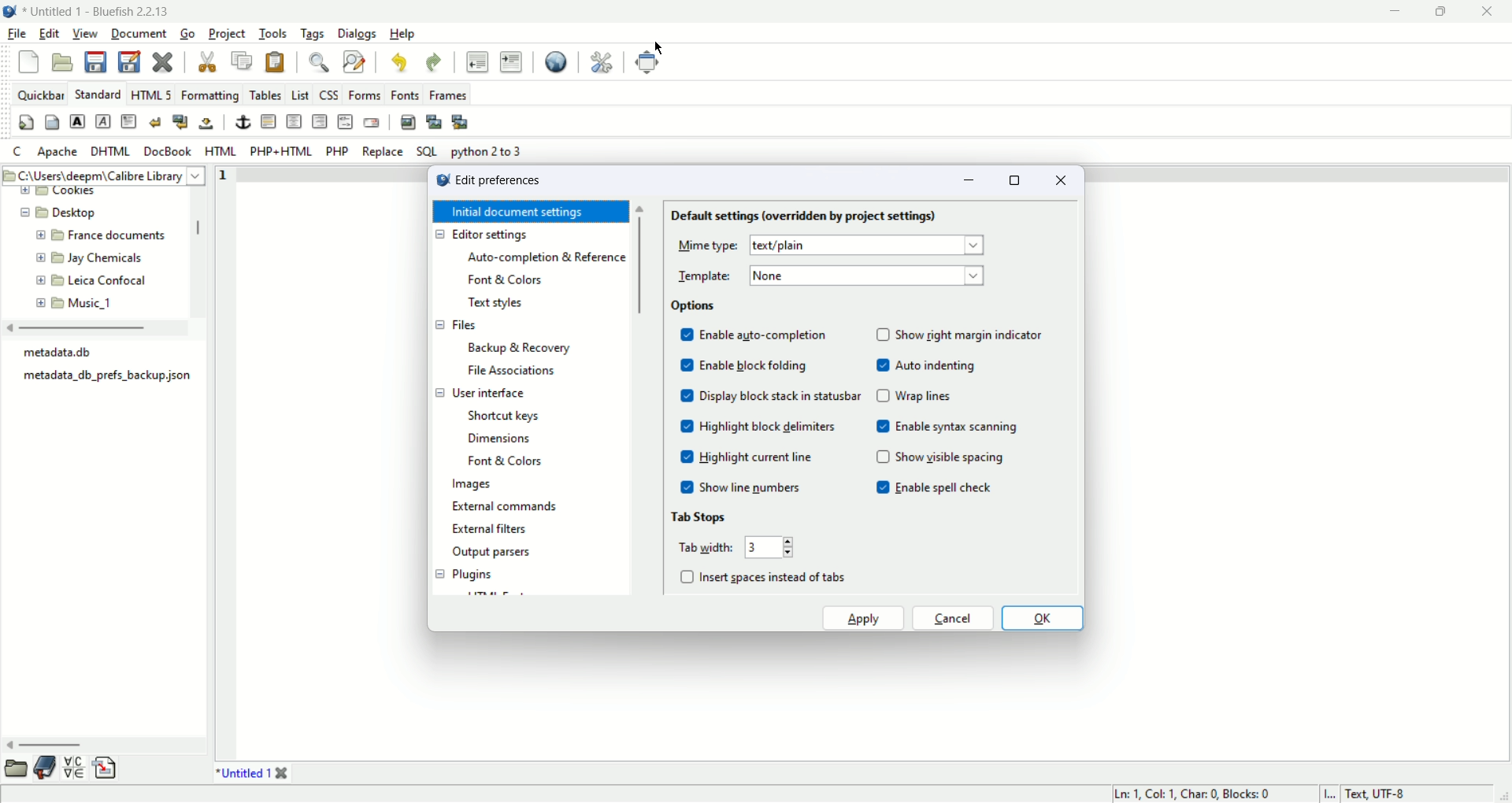 The image size is (1512, 803). What do you see at coordinates (409, 123) in the screenshot?
I see `insert image` at bounding box center [409, 123].